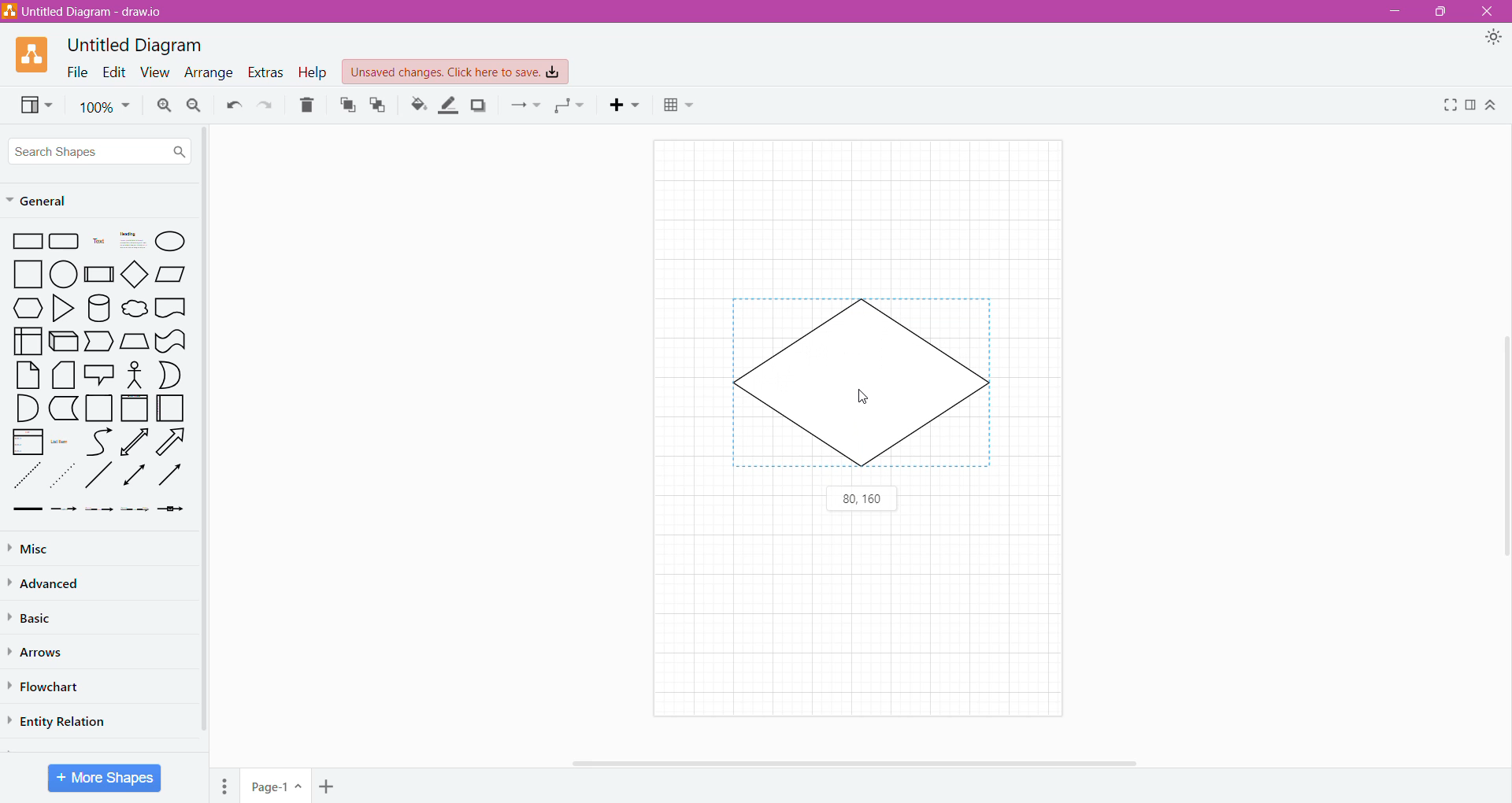 This screenshot has width=1512, height=803. What do you see at coordinates (65, 510) in the screenshot?
I see `Connector with Label` at bounding box center [65, 510].